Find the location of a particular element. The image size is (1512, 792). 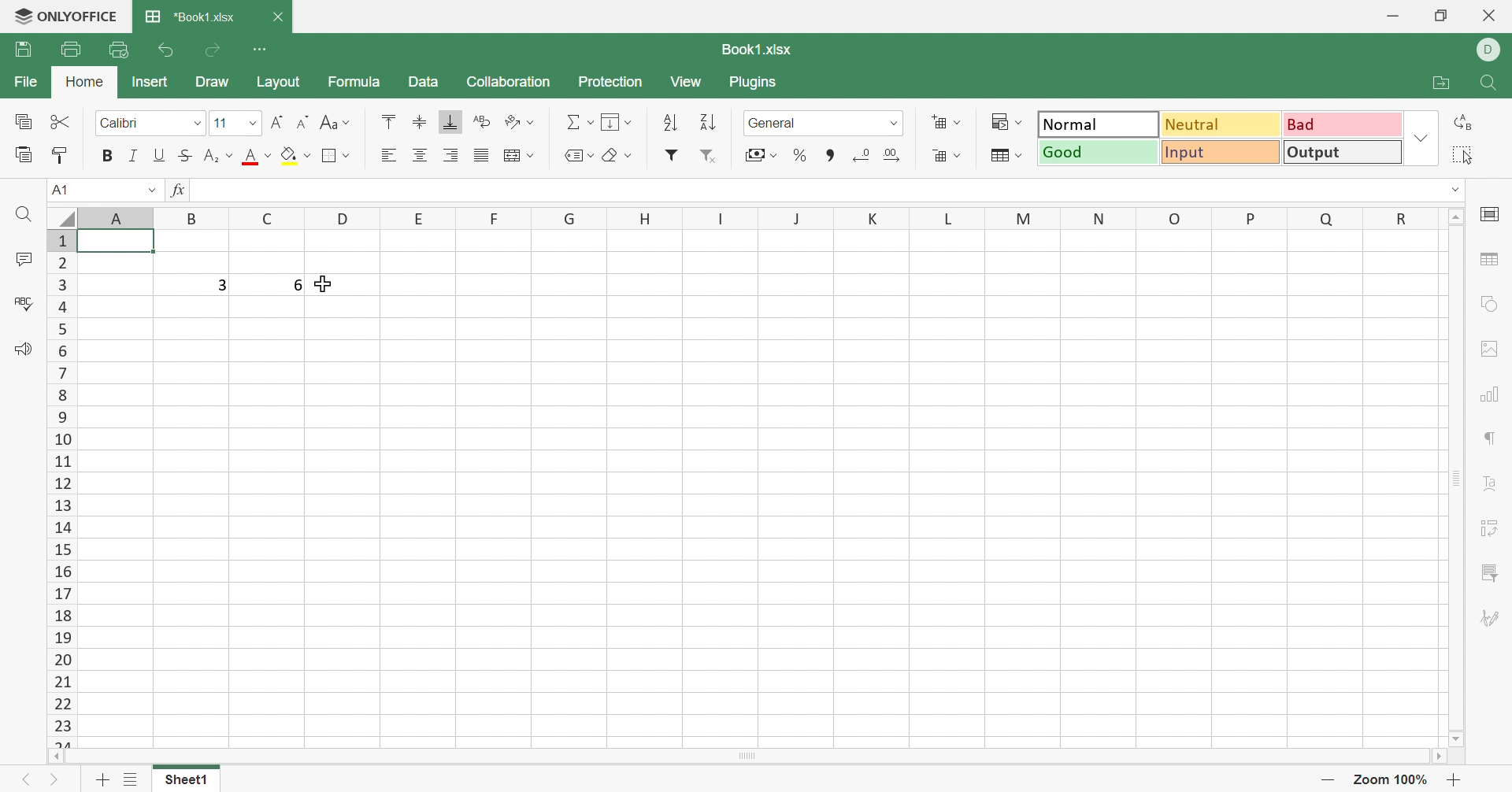

Column names is located at coordinates (756, 216).